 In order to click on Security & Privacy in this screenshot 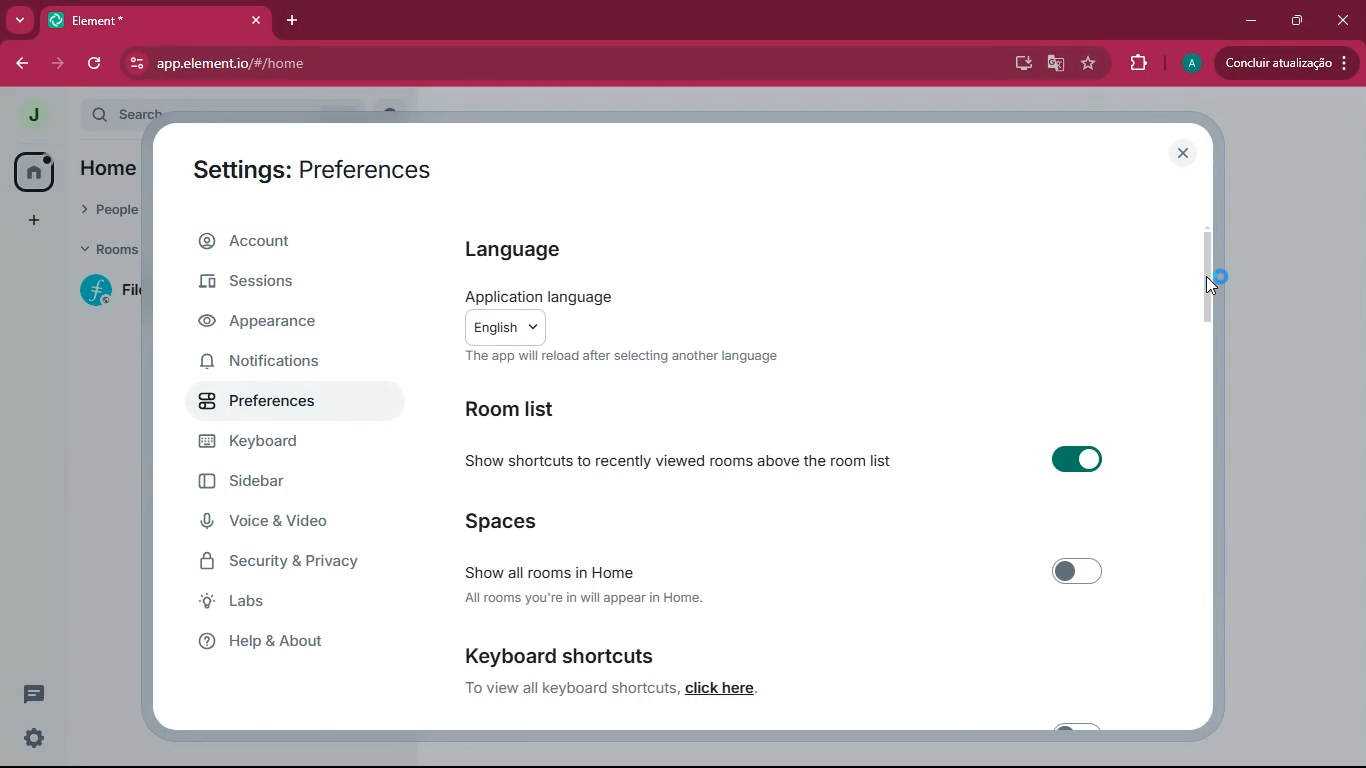, I will do `click(290, 564)`.